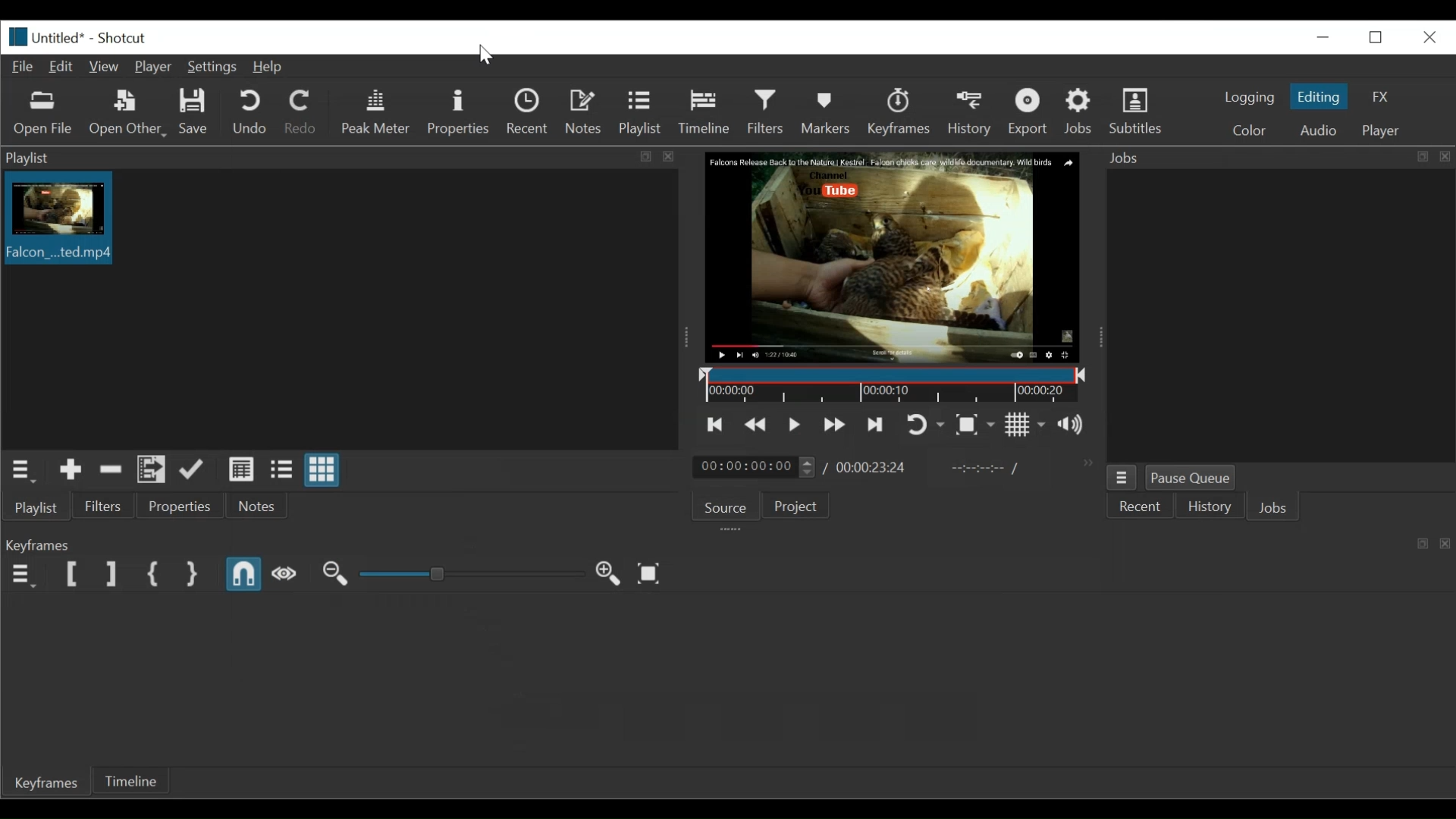 This screenshot has height=819, width=1456. I want to click on Undo, so click(248, 112).